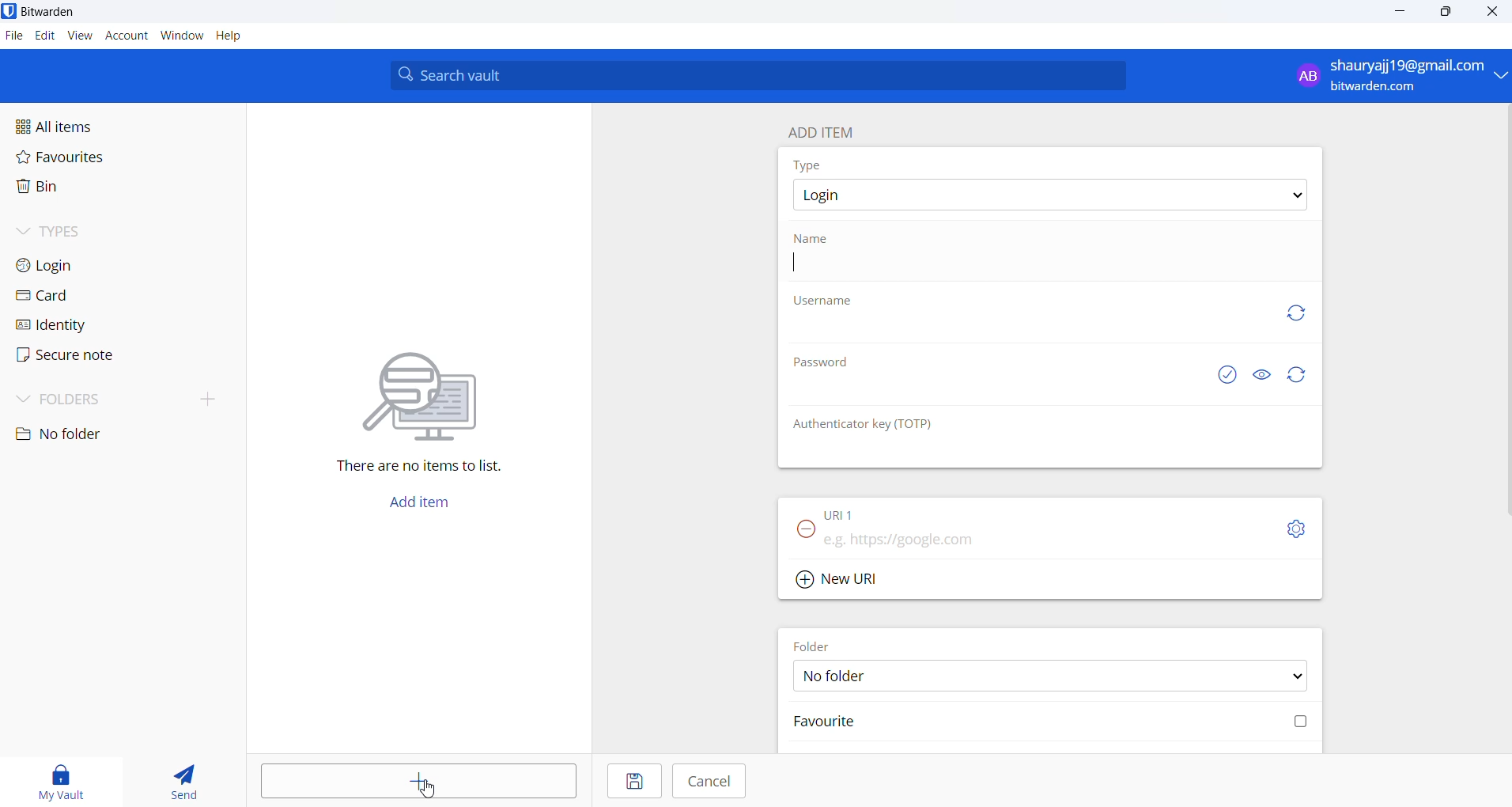 The image size is (1512, 807). I want to click on secure note, so click(85, 358).